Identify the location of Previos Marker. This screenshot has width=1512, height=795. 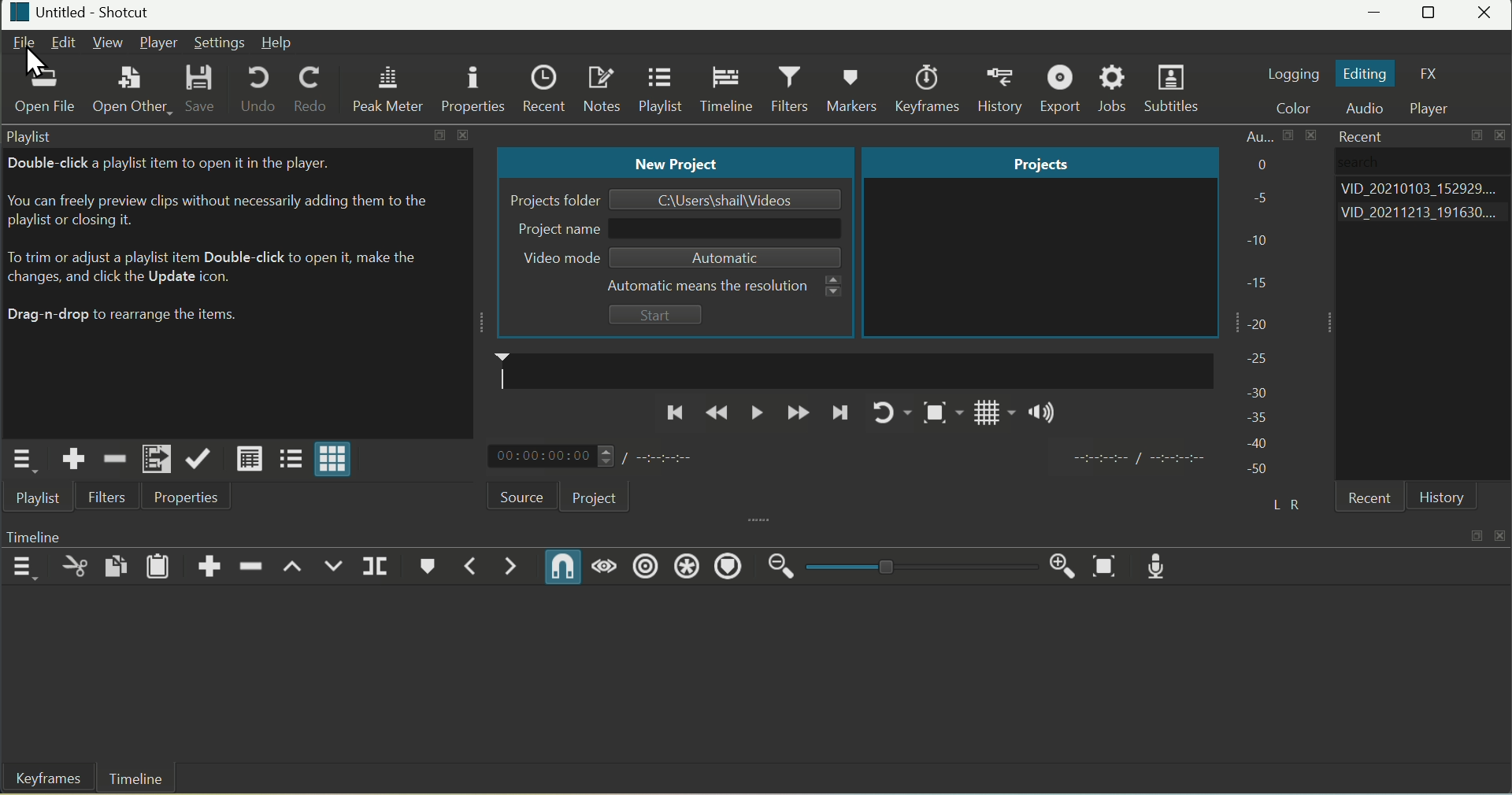
(464, 568).